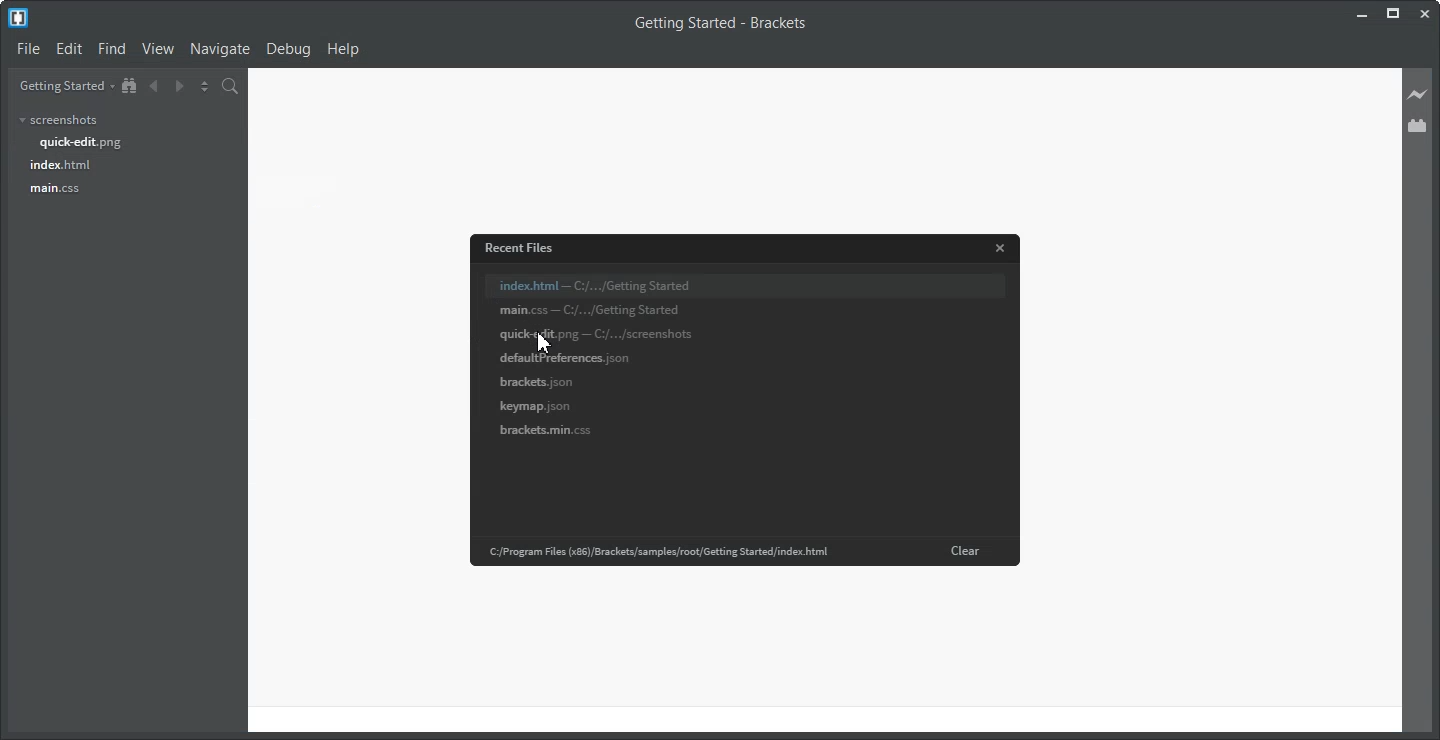 The height and width of the screenshot is (740, 1440). Describe the element at coordinates (547, 344) in the screenshot. I see `cursor` at that location.